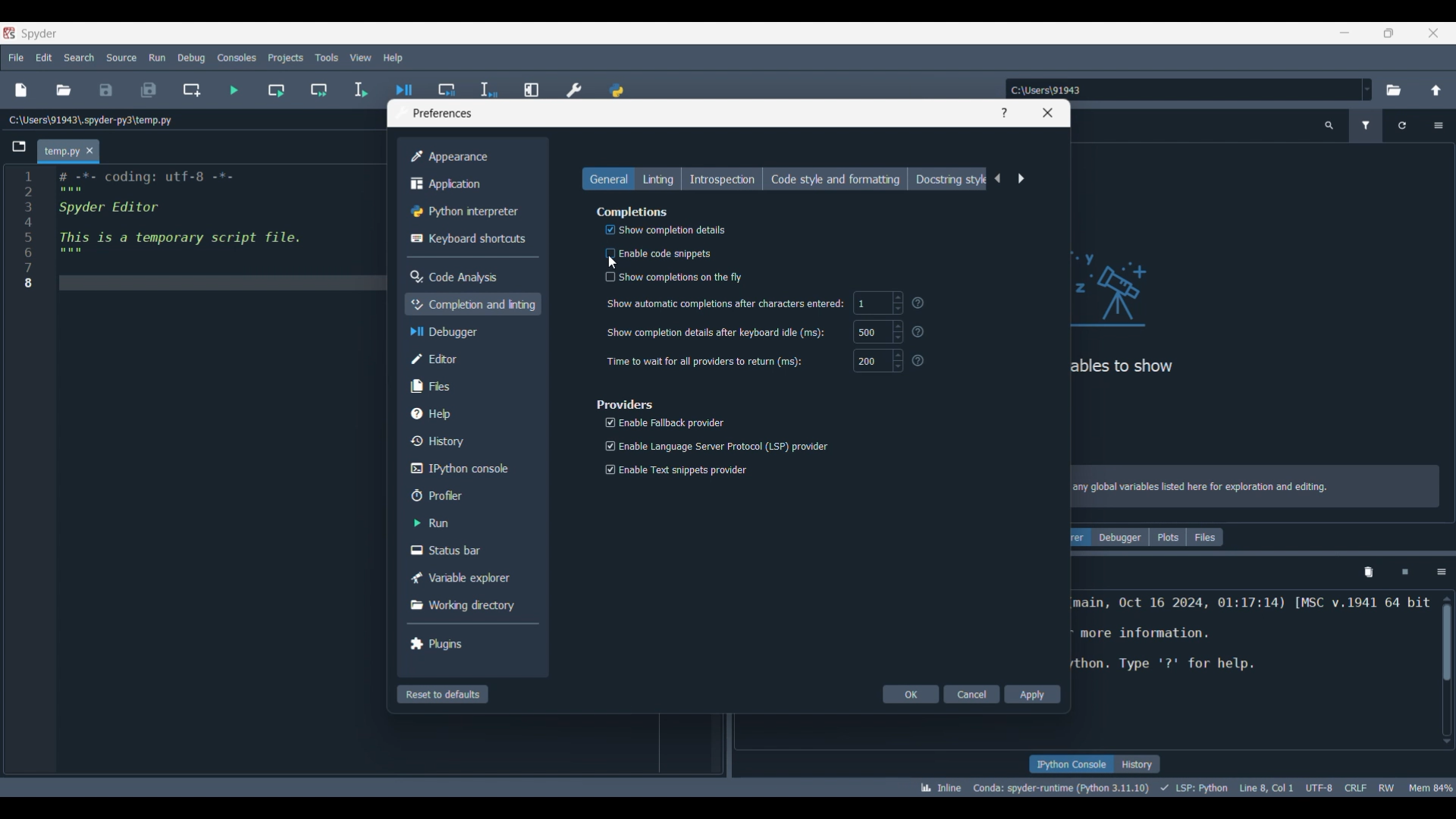 The height and width of the screenshot is (819, 1456). What do you see at coordinates (89, 120) in the screenshot?
I see `File location` at bounding box center [89, 120].